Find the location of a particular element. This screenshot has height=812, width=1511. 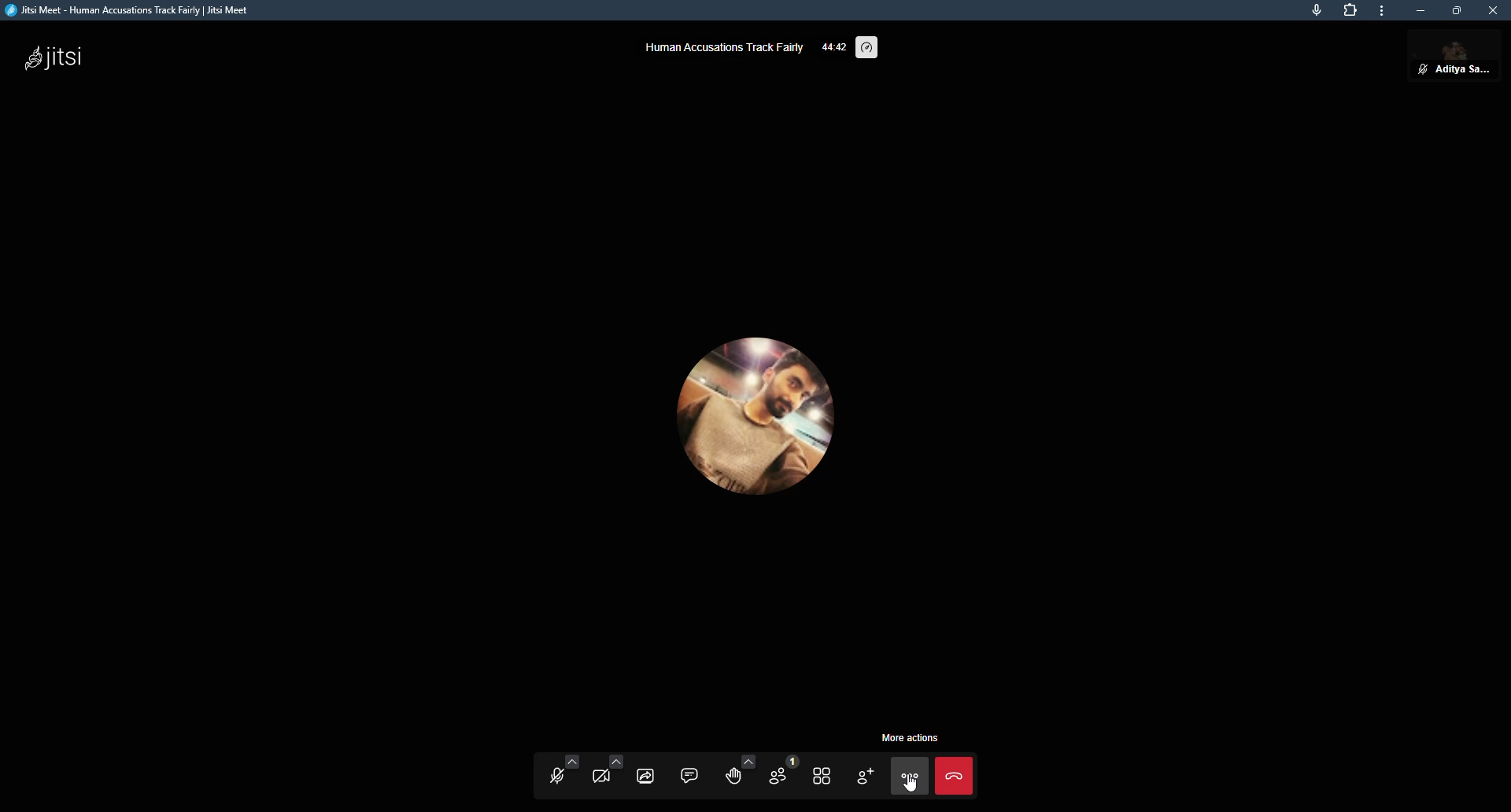

jitsi is located at coordinates (135, 12).